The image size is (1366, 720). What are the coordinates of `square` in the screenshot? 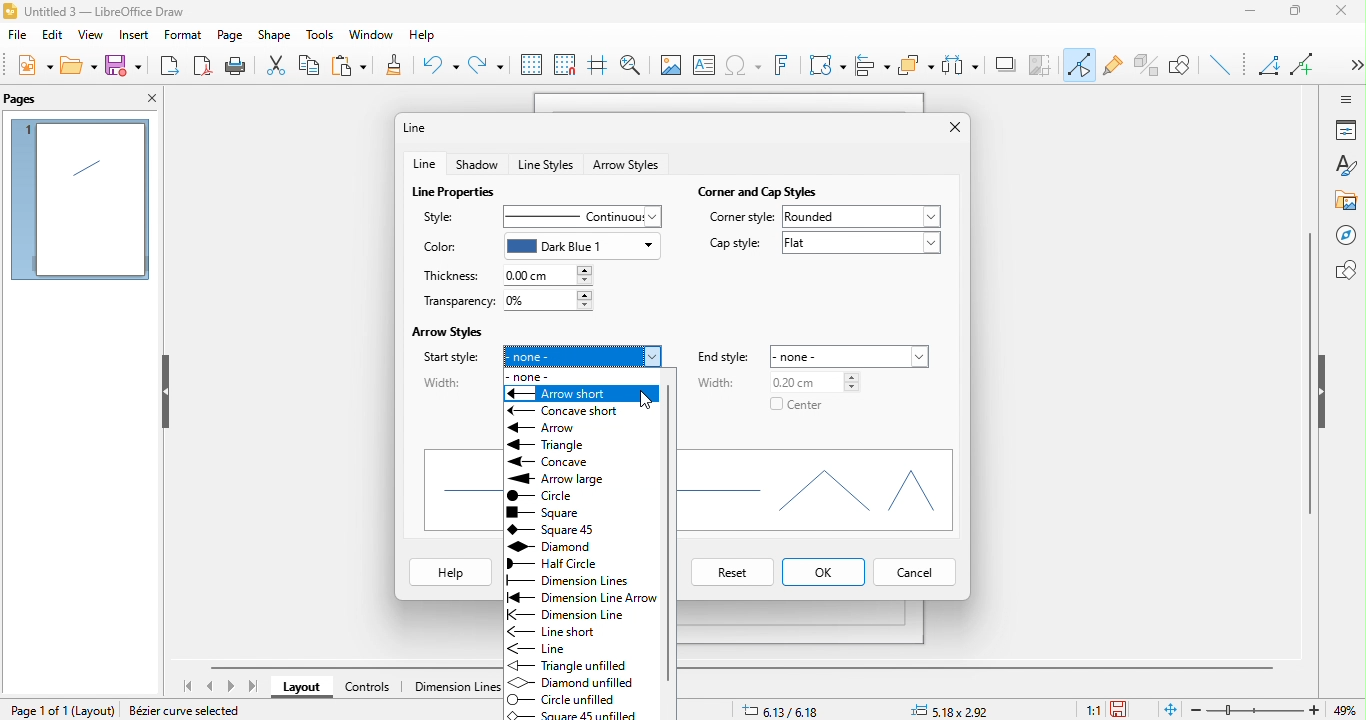 It's located at (551, 509).